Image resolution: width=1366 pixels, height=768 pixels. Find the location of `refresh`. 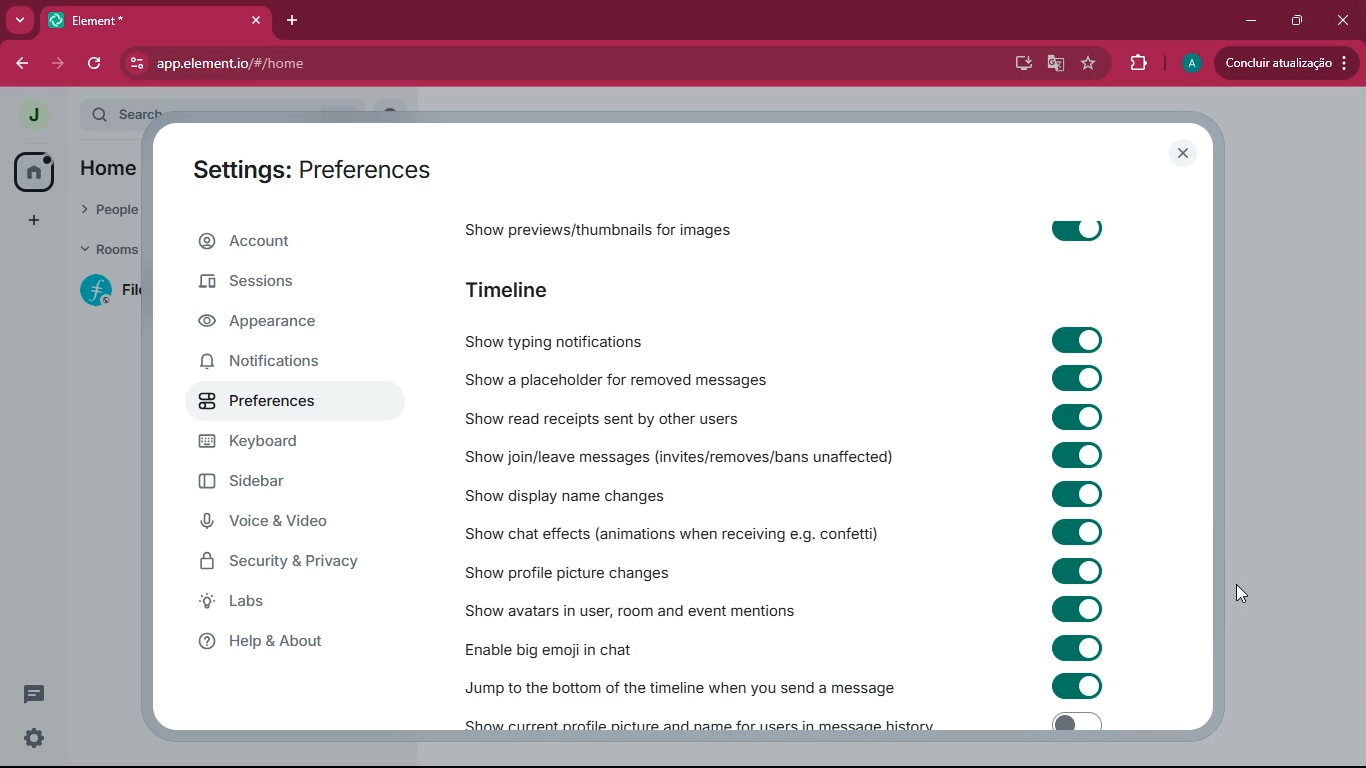

refresh is located at coordinates (92, 65).